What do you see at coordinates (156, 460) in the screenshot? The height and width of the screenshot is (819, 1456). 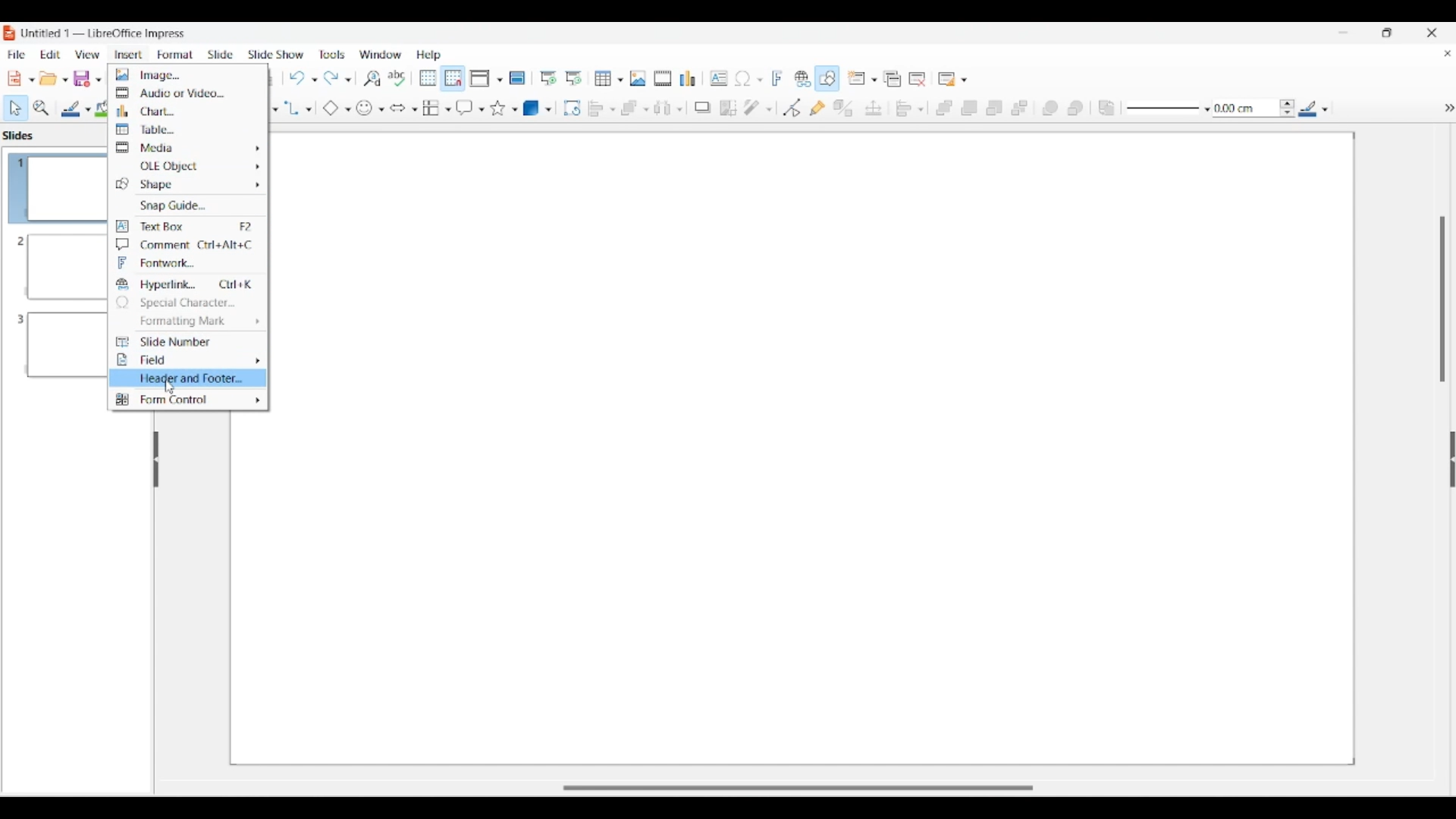 I see `Hide left panel` at bounding box center [156, 460].